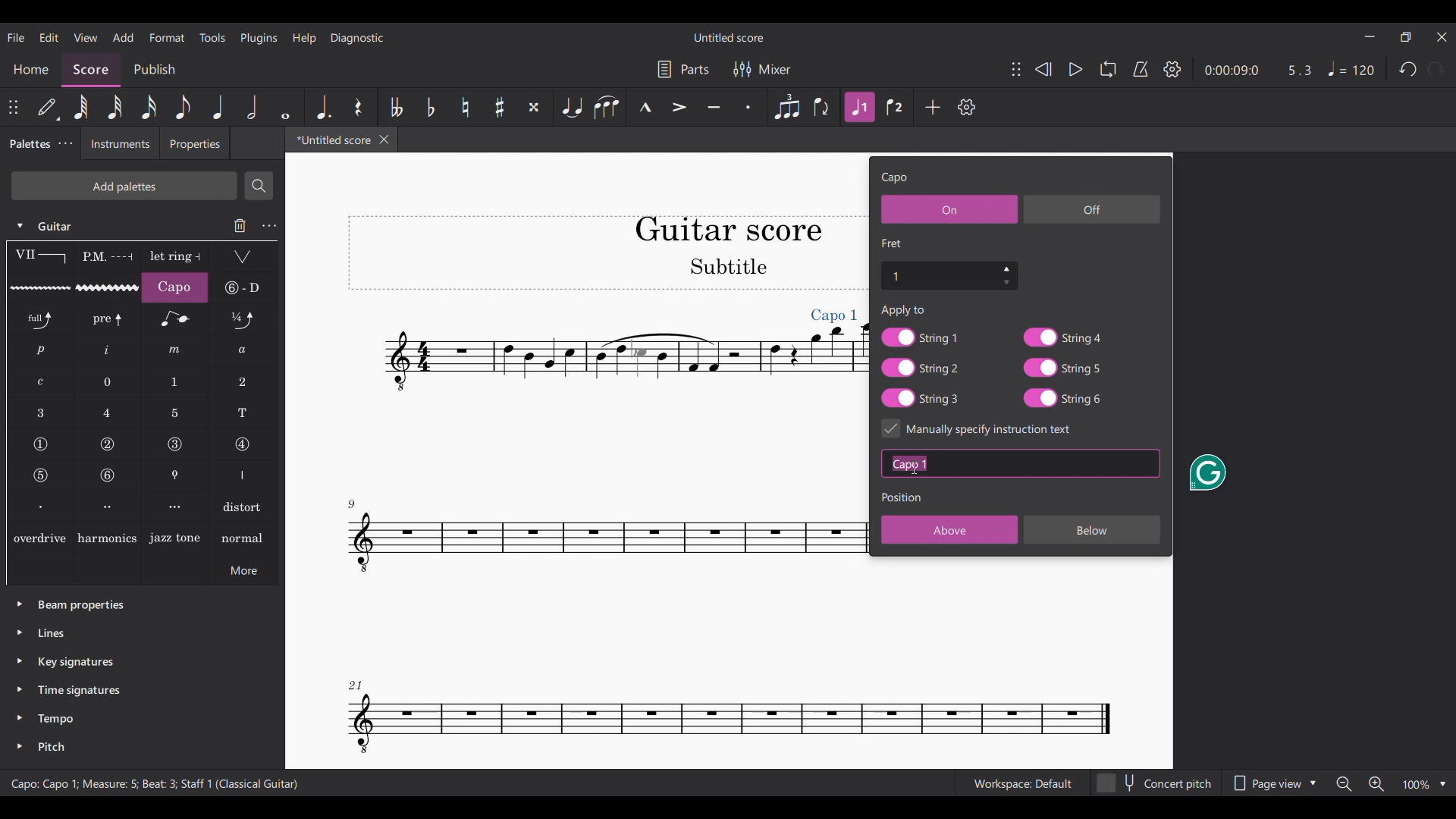 This screenshot has width=1456, height=819. I want to click on Click to expand tempo palette, so click(19, 717).